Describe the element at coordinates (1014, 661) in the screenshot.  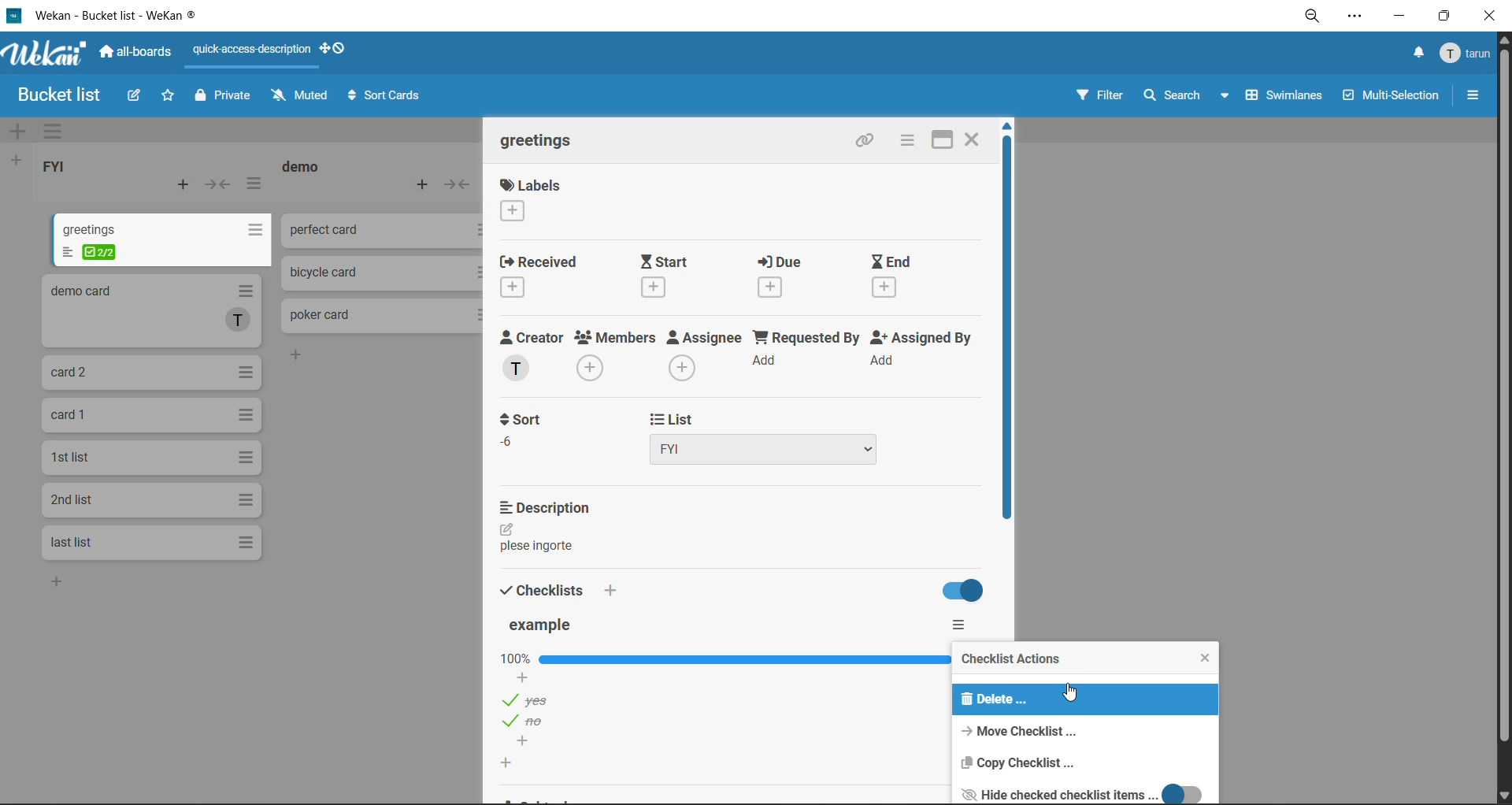
I see `checklist actions` at that location.